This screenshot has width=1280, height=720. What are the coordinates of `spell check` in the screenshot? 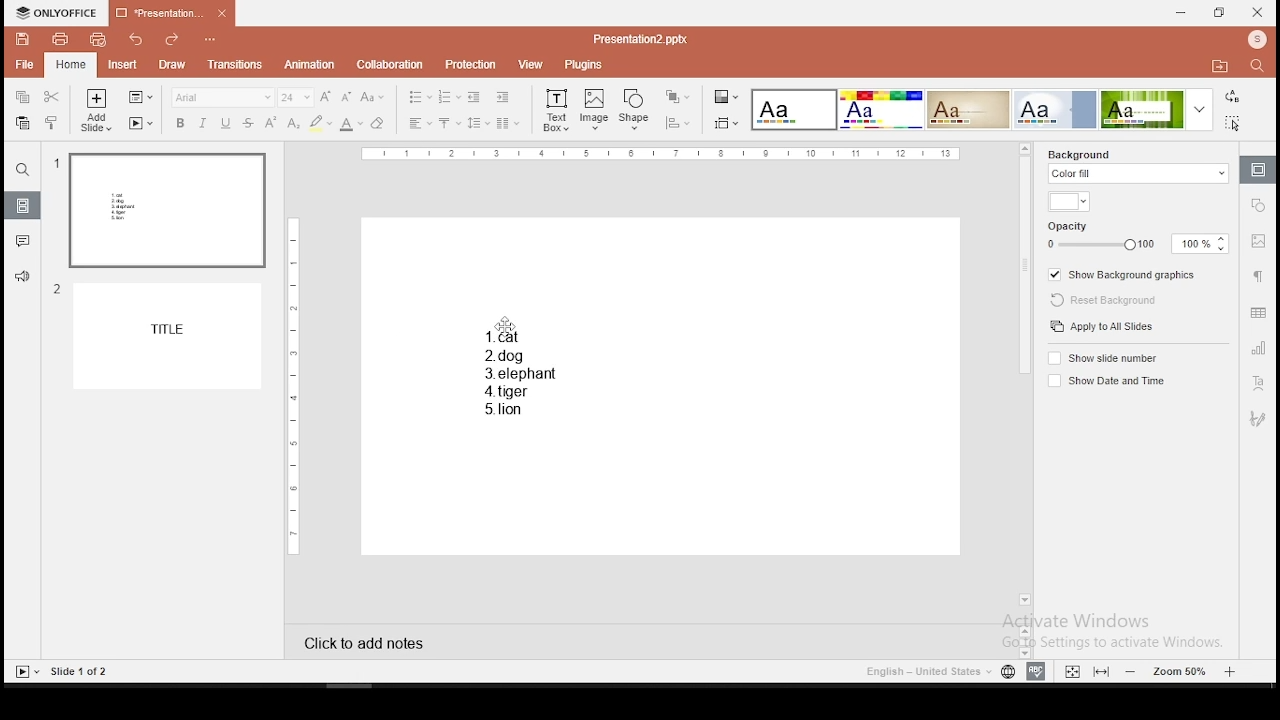 It's located at (1039, 672).